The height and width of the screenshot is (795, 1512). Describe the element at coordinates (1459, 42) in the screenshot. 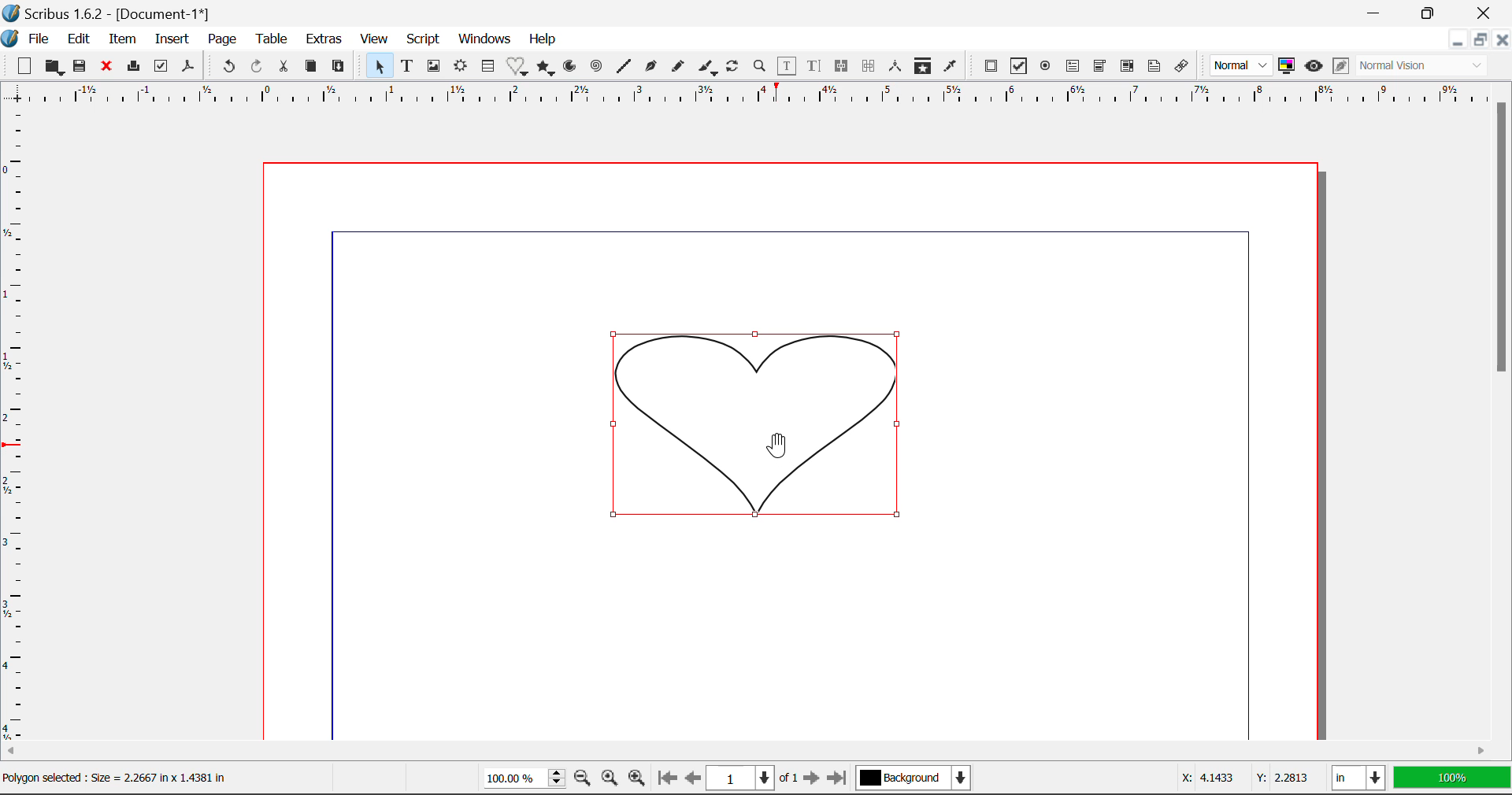

I see `Restore Down` at that location.